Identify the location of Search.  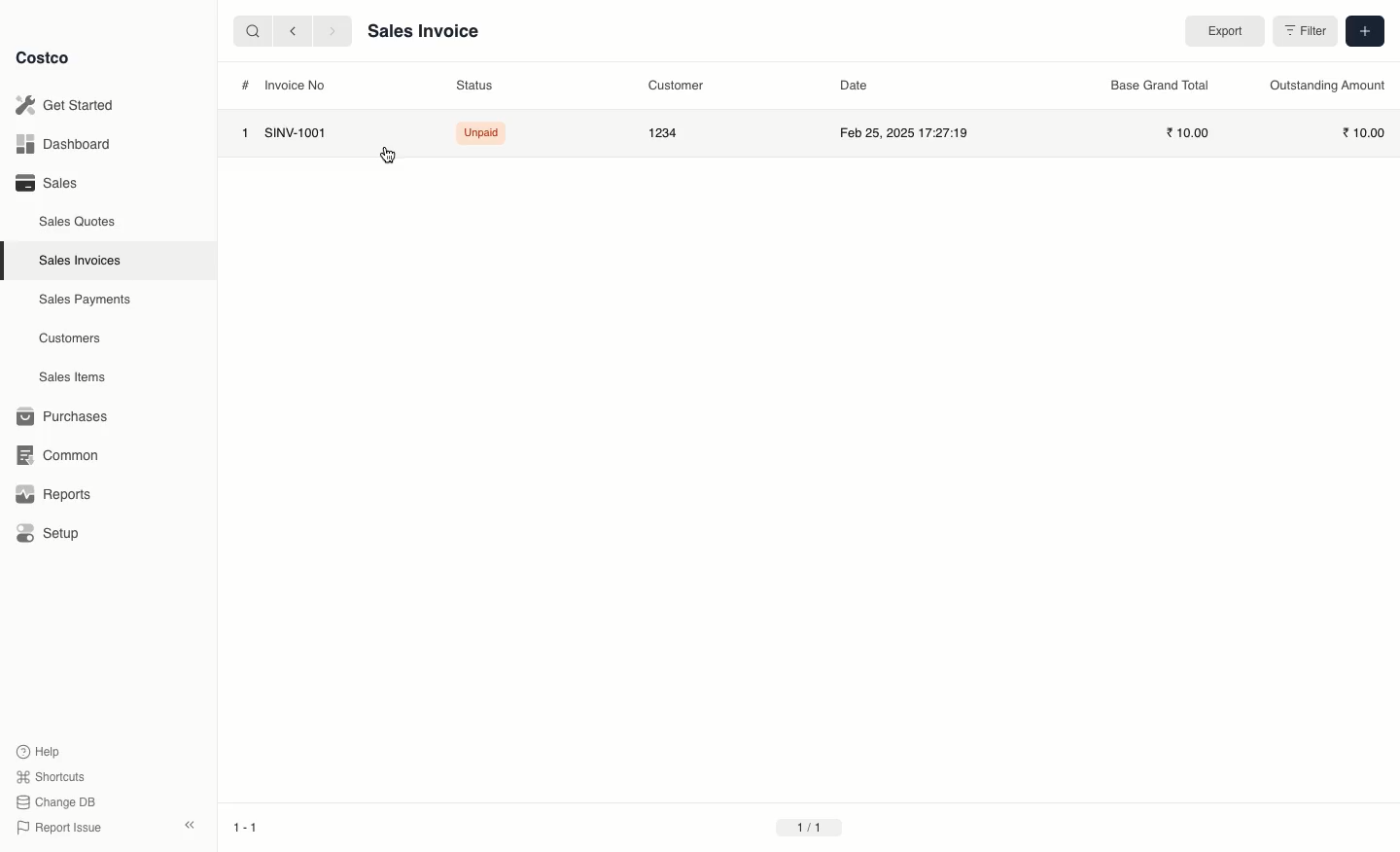
(248, 32).